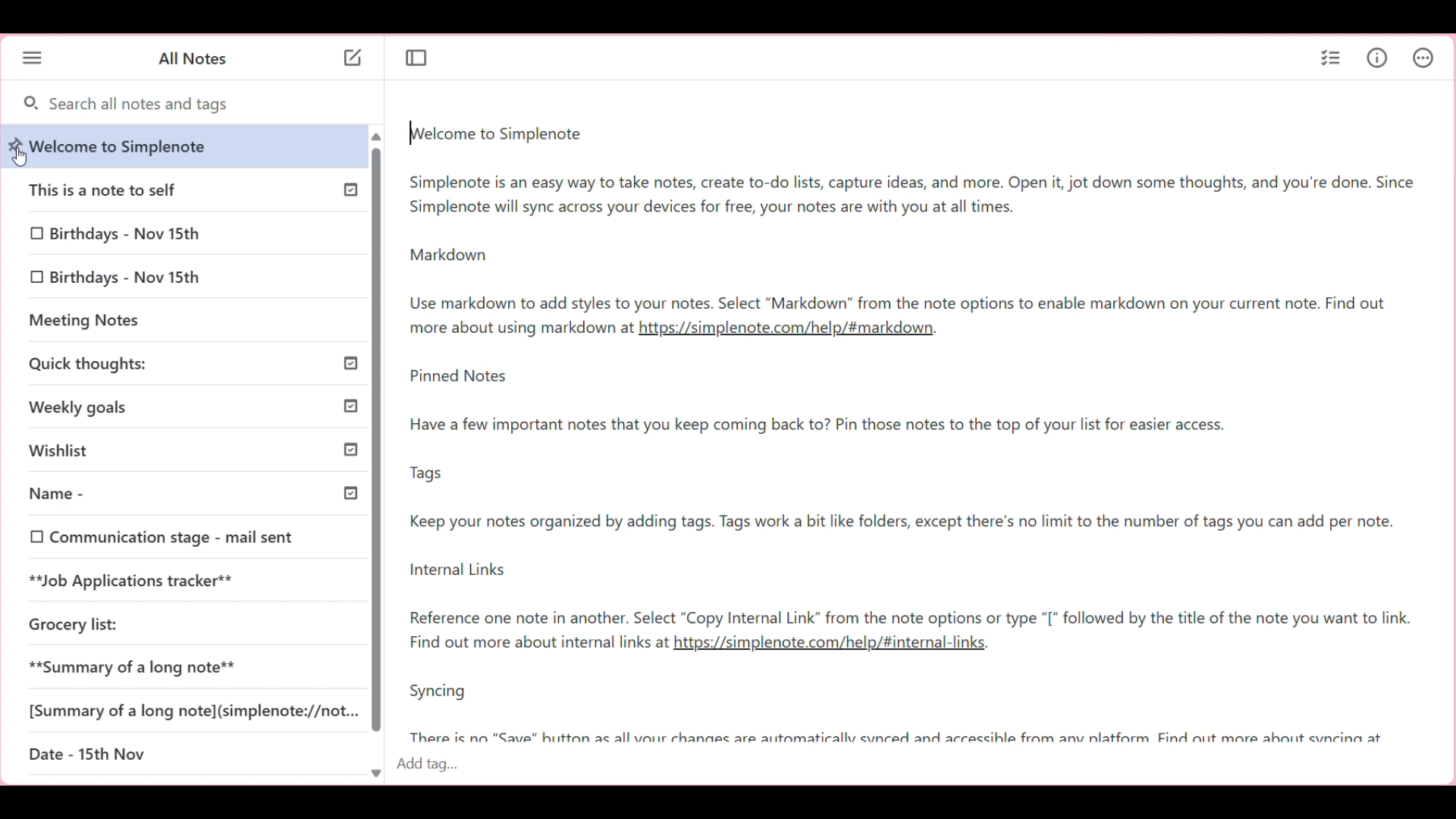  What do you see at coordinates (1331, 59) in the screenshot?
I see `Insert checklist` at bounding box center [1331, 59].